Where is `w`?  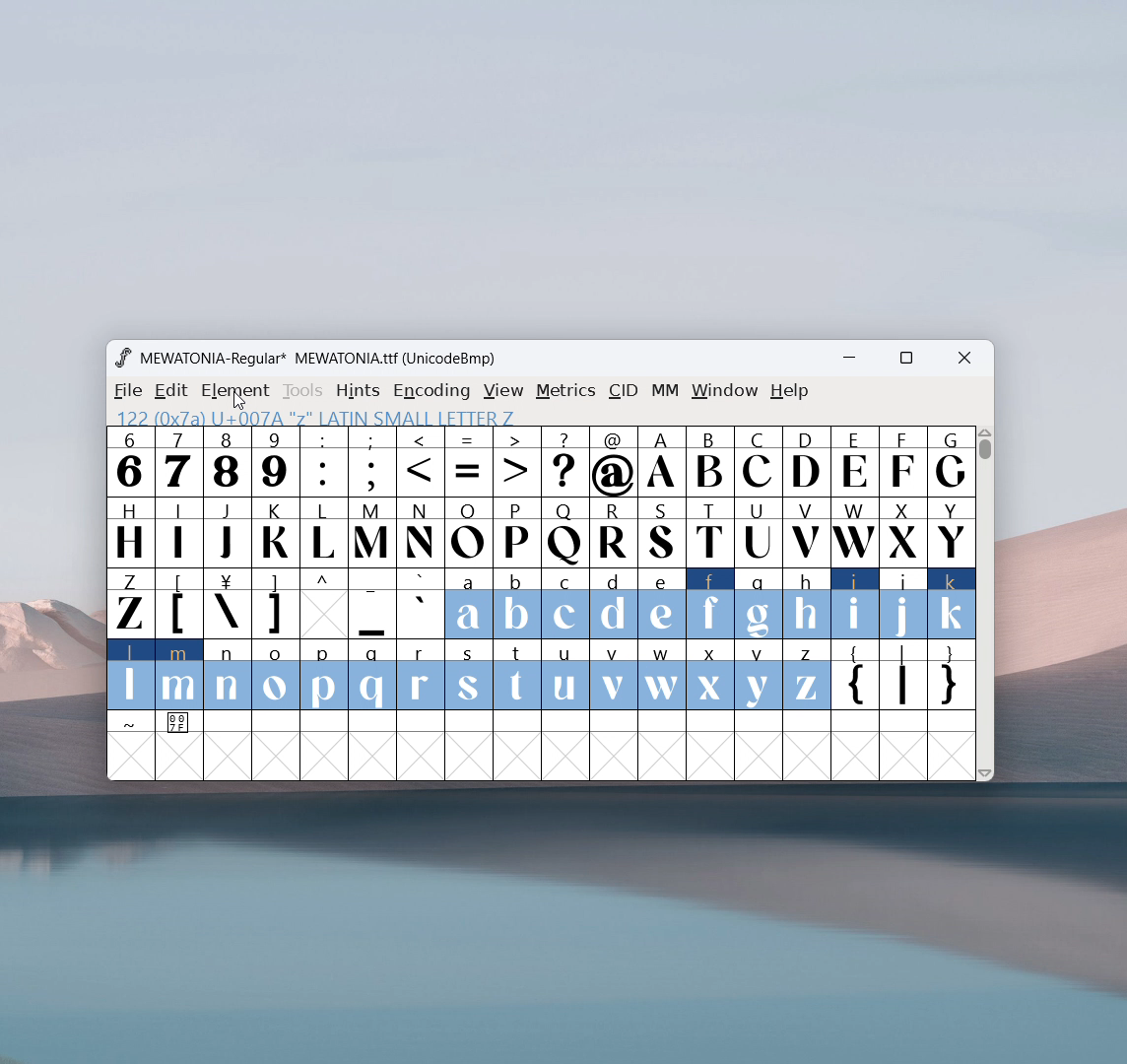 w is located at coordinates (662, 675).